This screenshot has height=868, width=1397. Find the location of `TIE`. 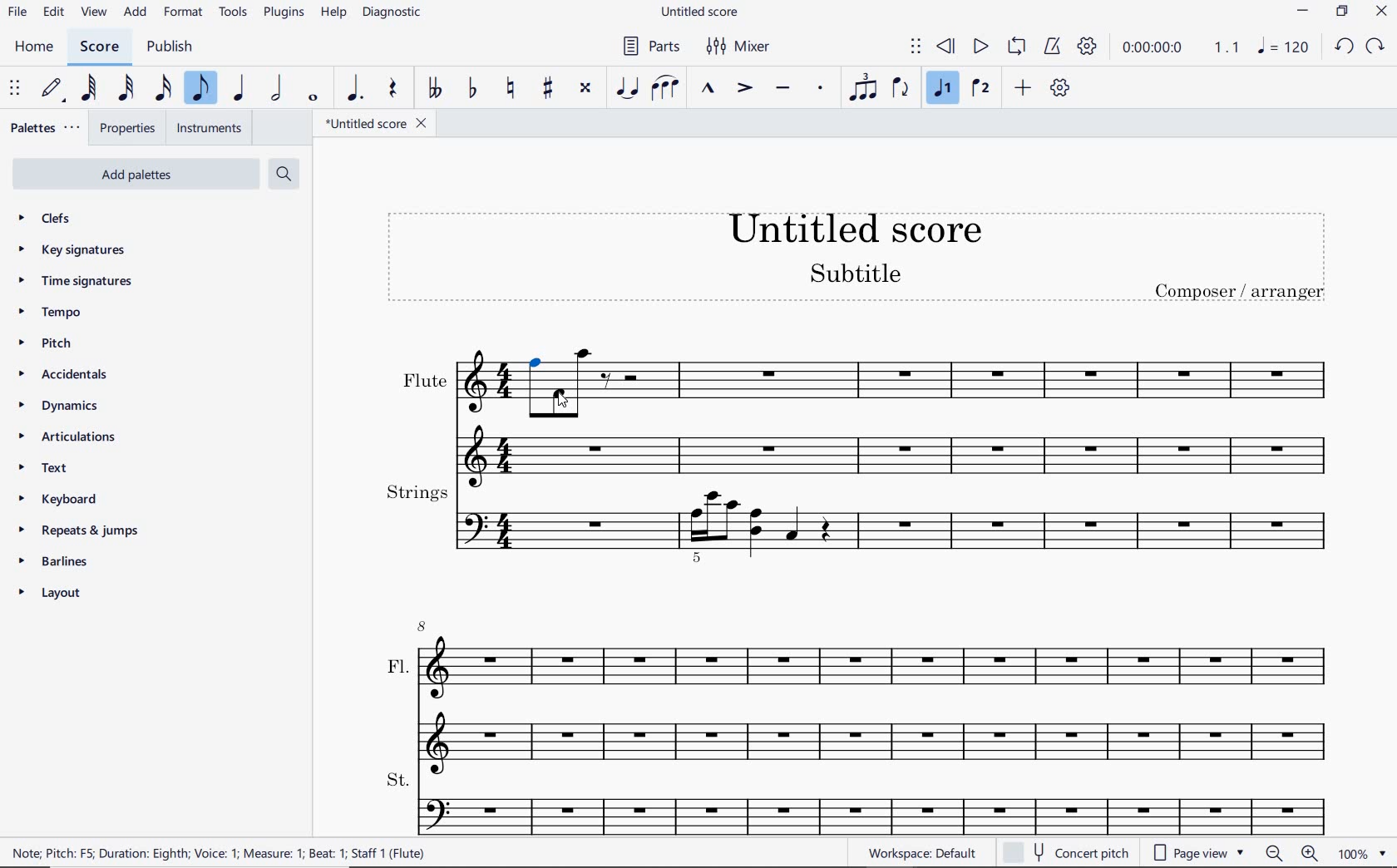

TIE is located at coordinates (626, 86).